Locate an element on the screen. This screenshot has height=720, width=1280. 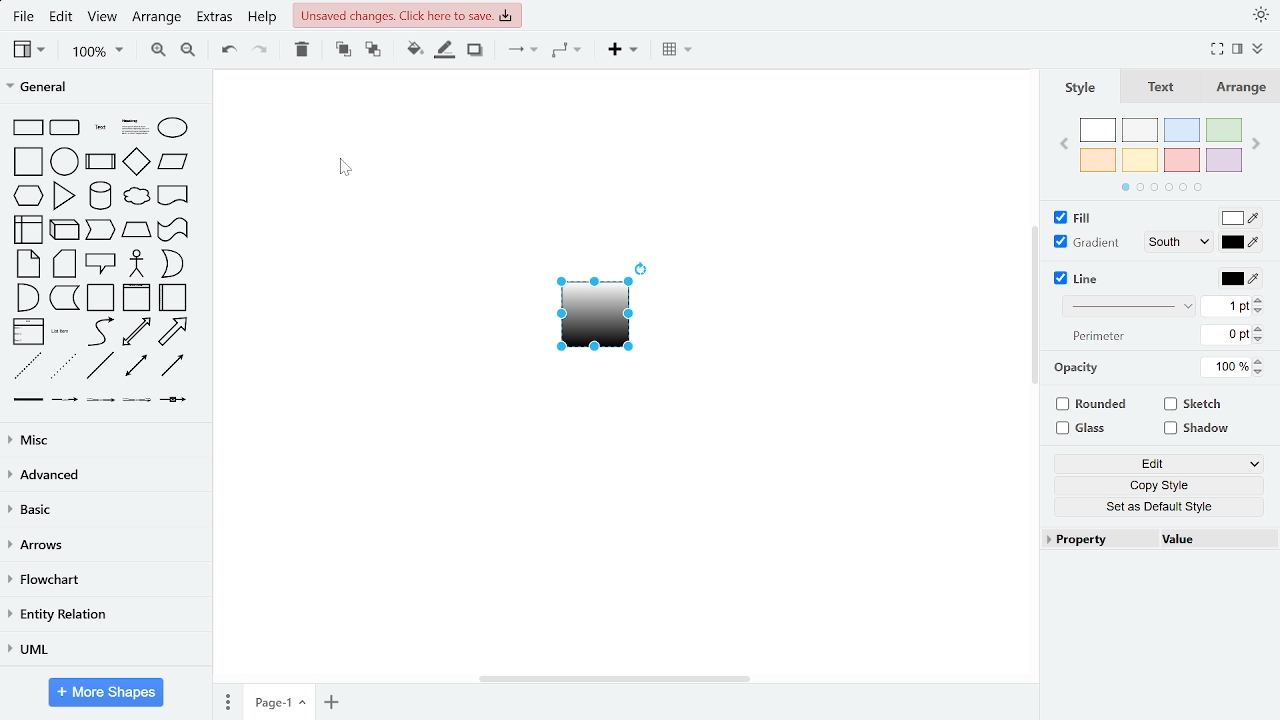
general shapes is located at coordinates (97, 230).